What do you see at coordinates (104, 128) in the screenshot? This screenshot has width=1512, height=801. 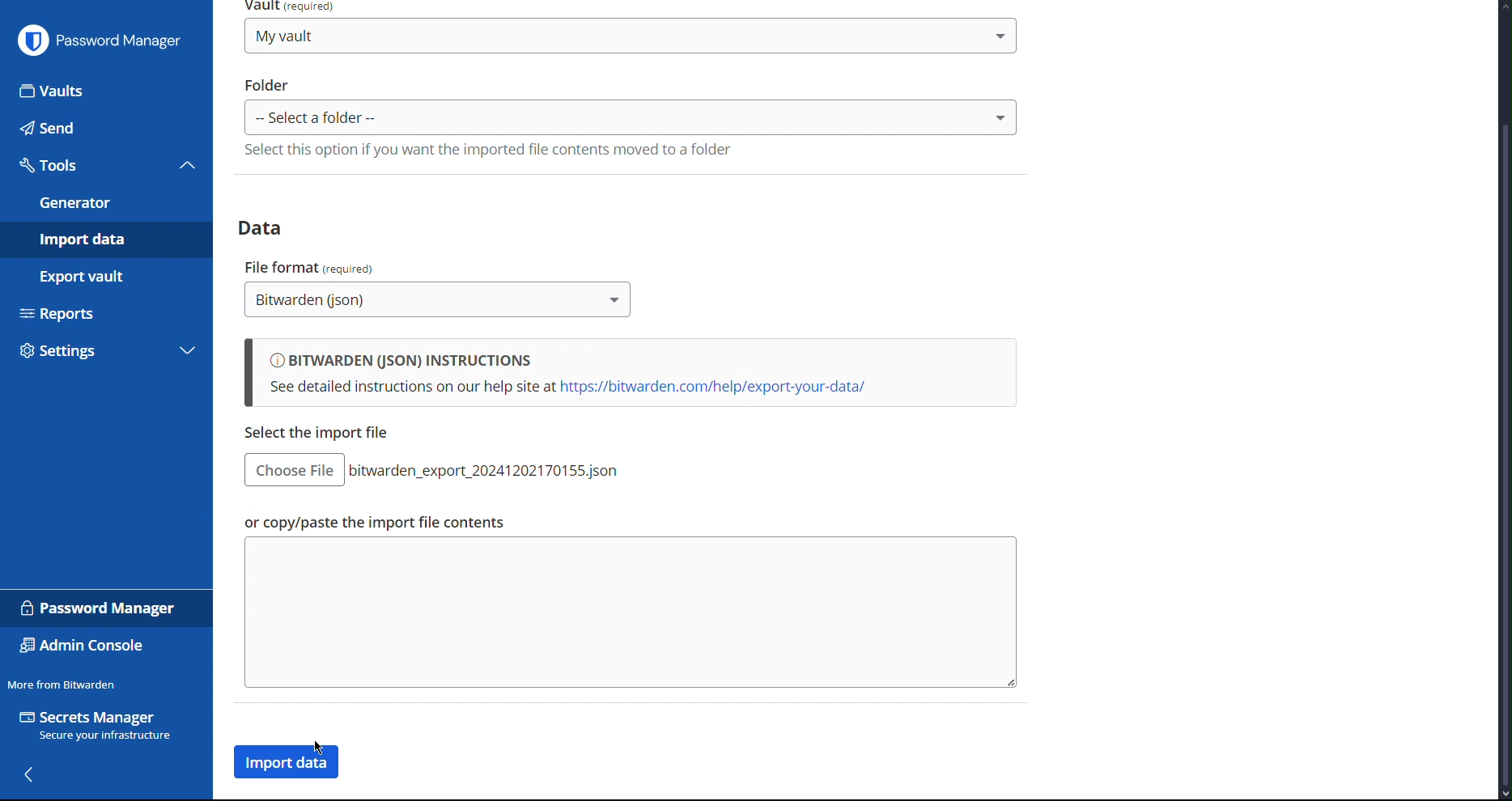 I see `Send` at bounding box center [104, 128].